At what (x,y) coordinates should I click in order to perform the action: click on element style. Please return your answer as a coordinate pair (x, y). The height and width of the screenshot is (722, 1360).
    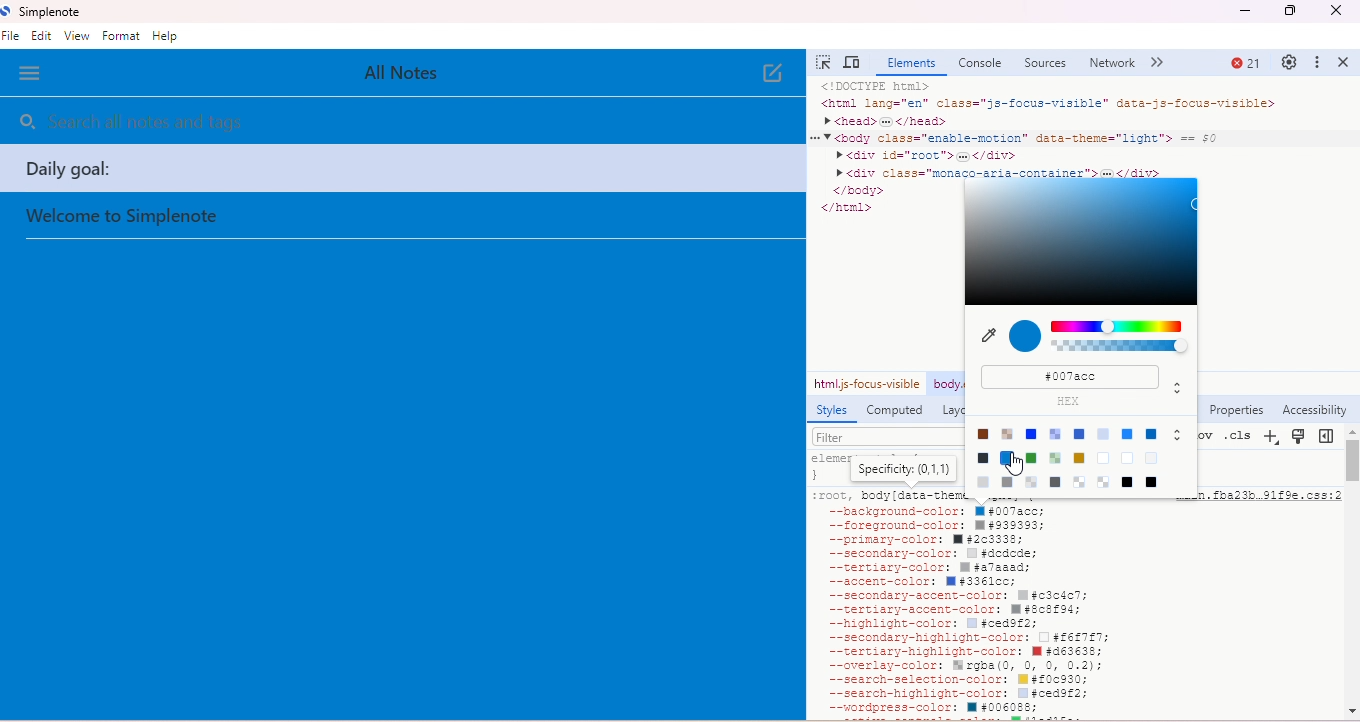
    Looking at the image, I should click on (886, 467).